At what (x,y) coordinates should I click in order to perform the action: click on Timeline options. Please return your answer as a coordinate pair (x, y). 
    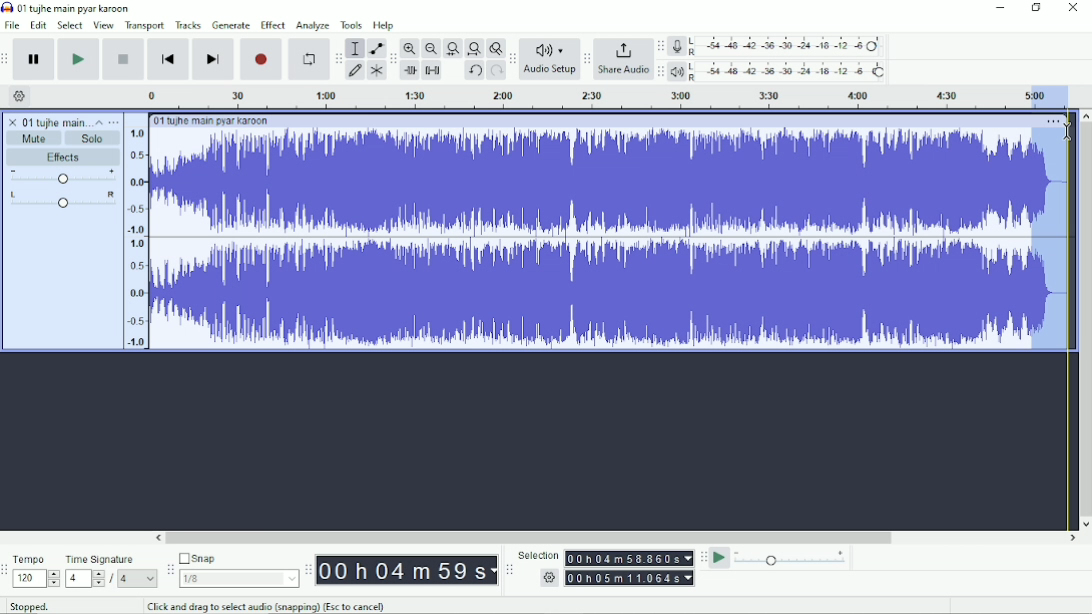
    Looking at the image, I should click on (20, 95).